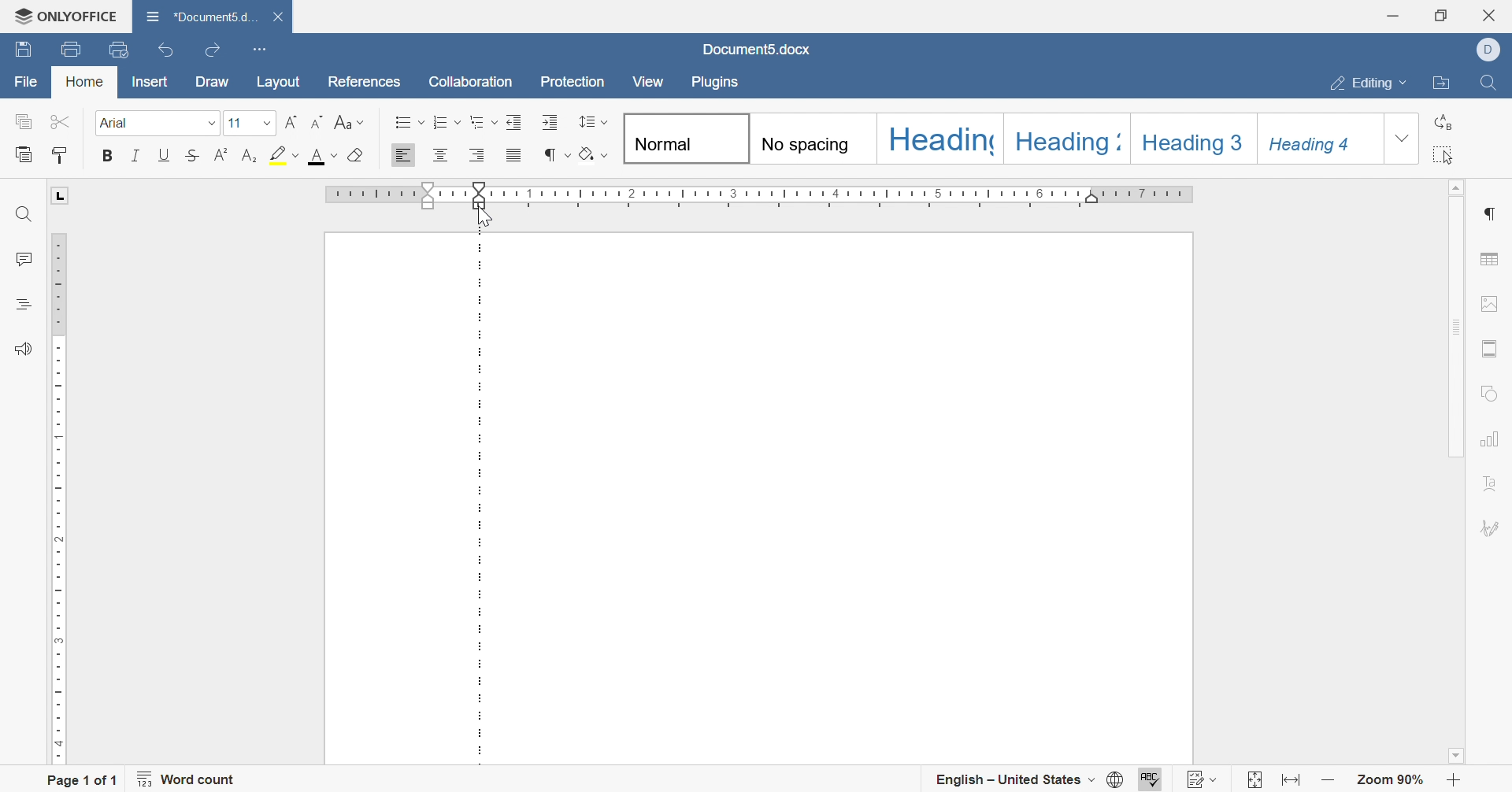 The height and width of the screenshot is (792, 1512). Describe the element at coordinates (1488, 47) in the screenshot. I see `dell` at that location.